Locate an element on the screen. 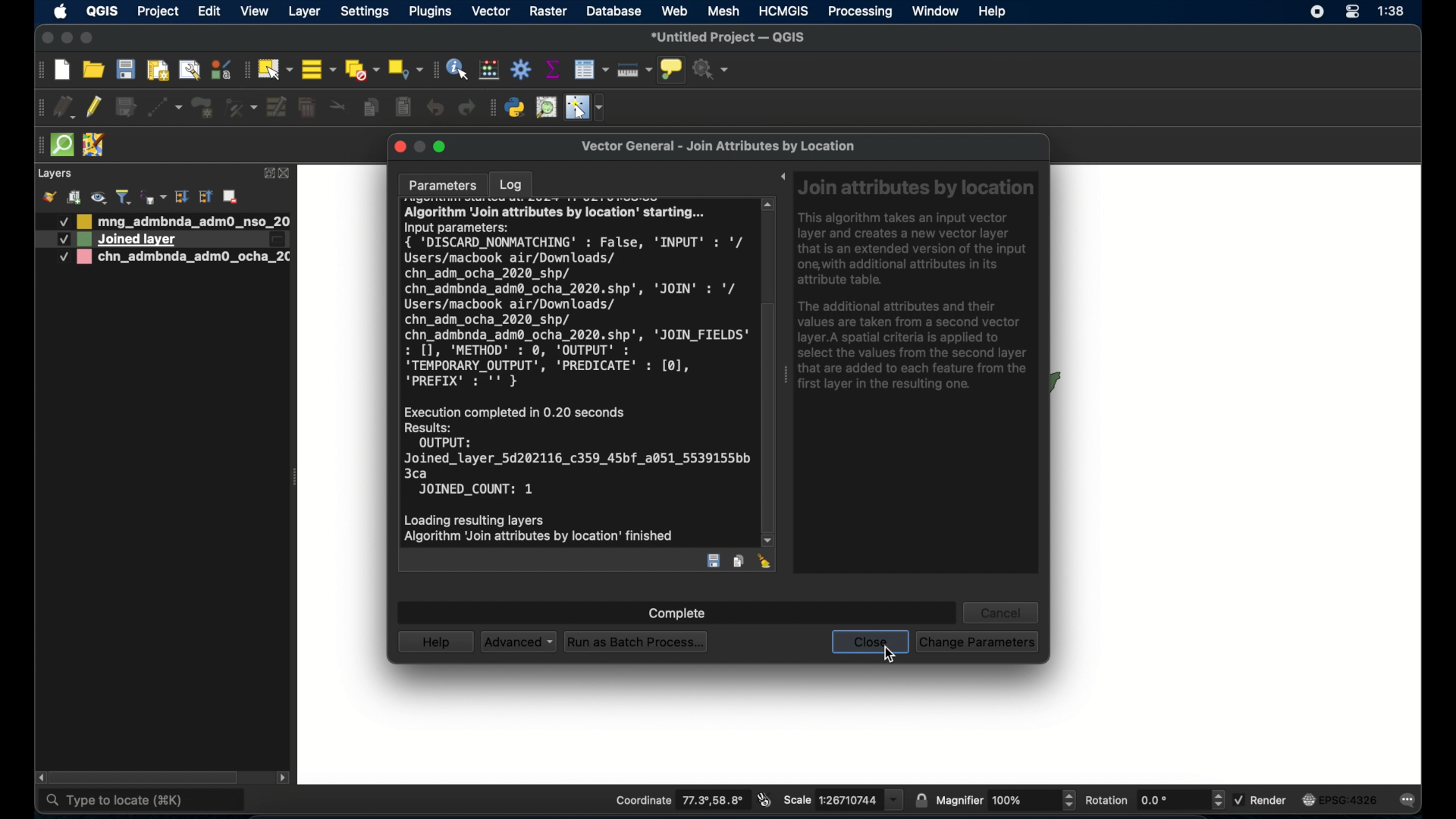 The height and width of the screenshot is (819, 1456). close is located at coordinates (288, 174).